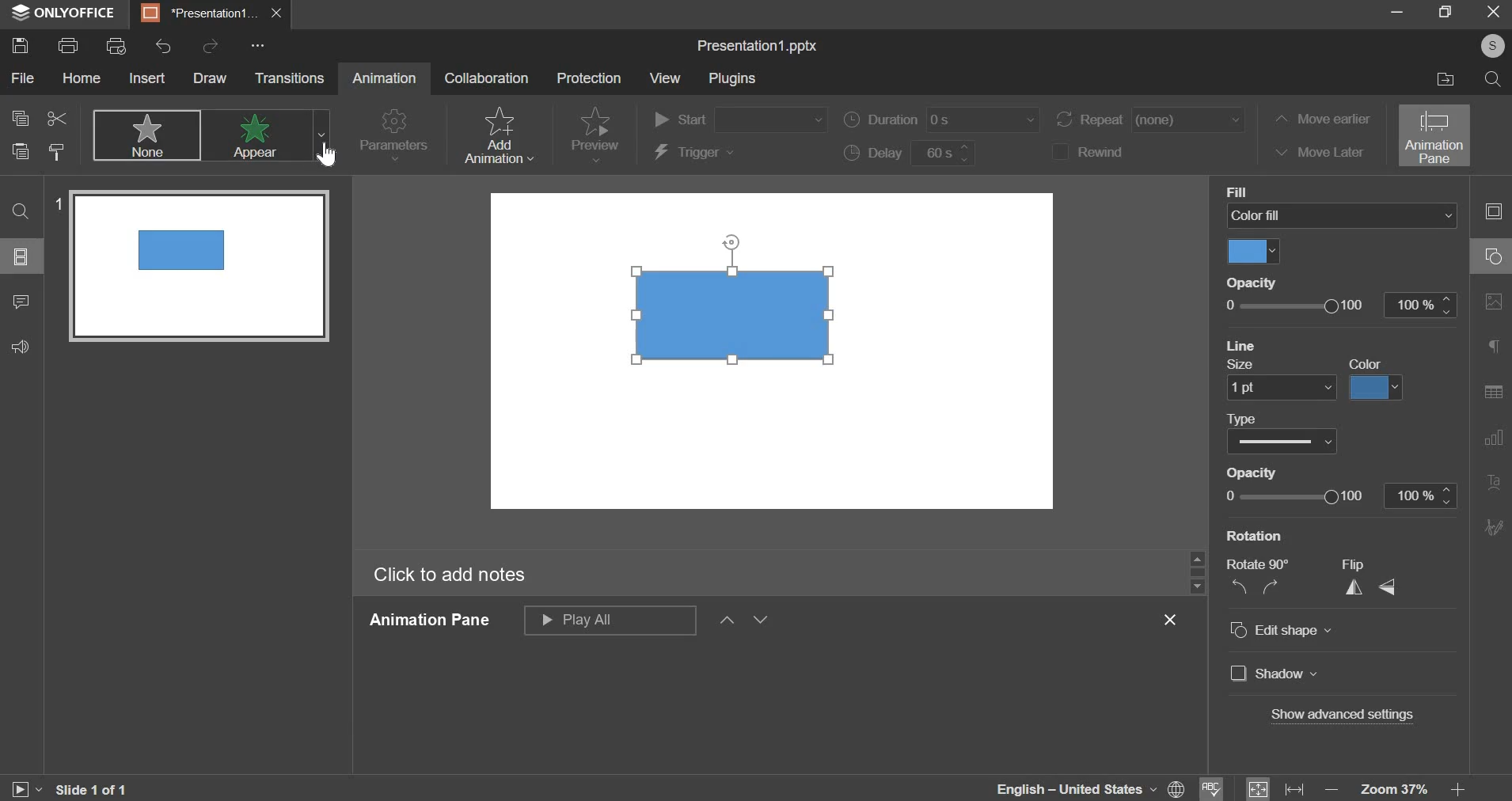  I want to click on paste, so click(21, 152).